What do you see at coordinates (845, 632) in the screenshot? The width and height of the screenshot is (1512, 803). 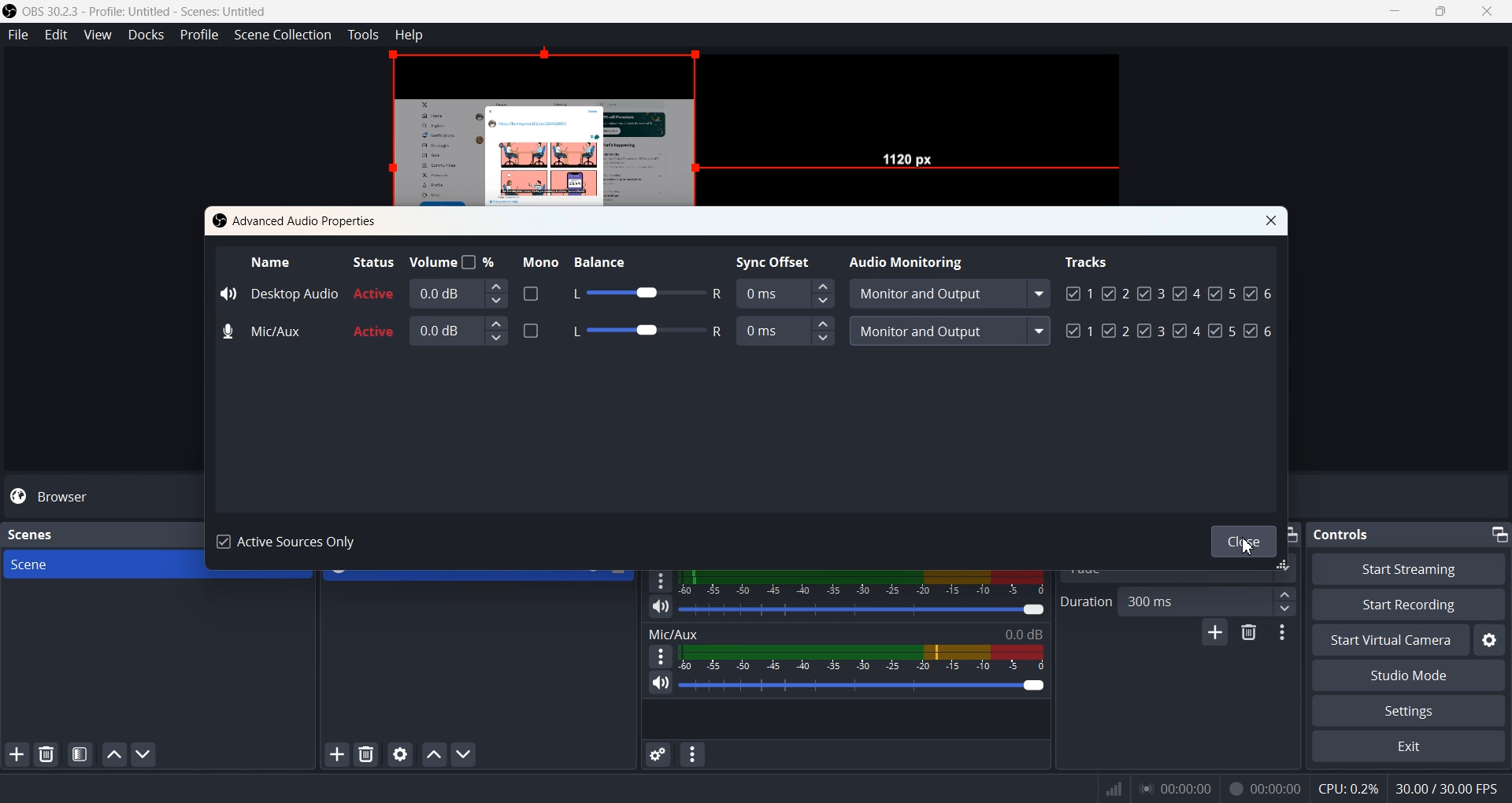 I see `Mic/Aux 0.0 dB` at bounding box center [845, 632].